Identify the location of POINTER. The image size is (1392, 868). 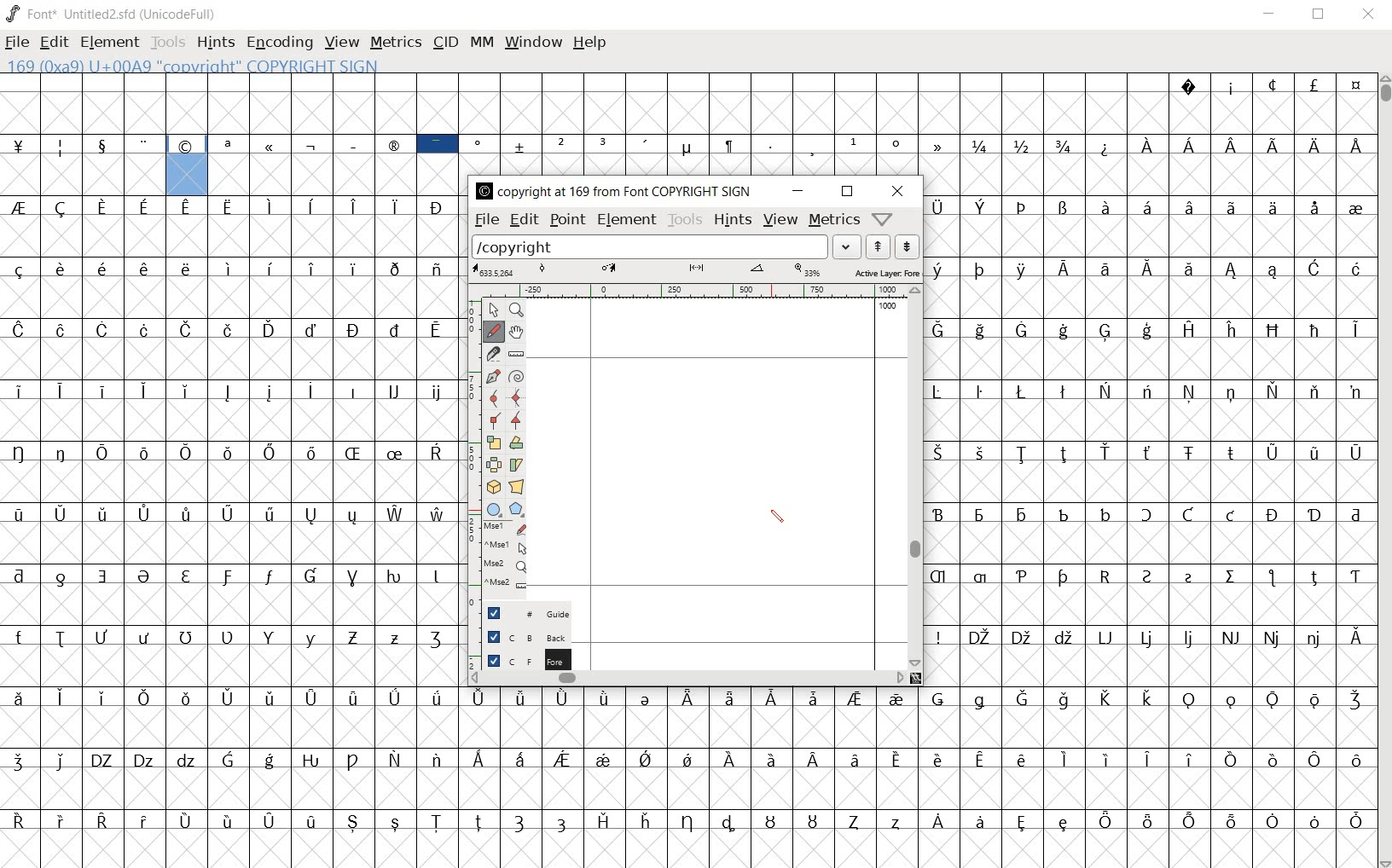
(493, 309).